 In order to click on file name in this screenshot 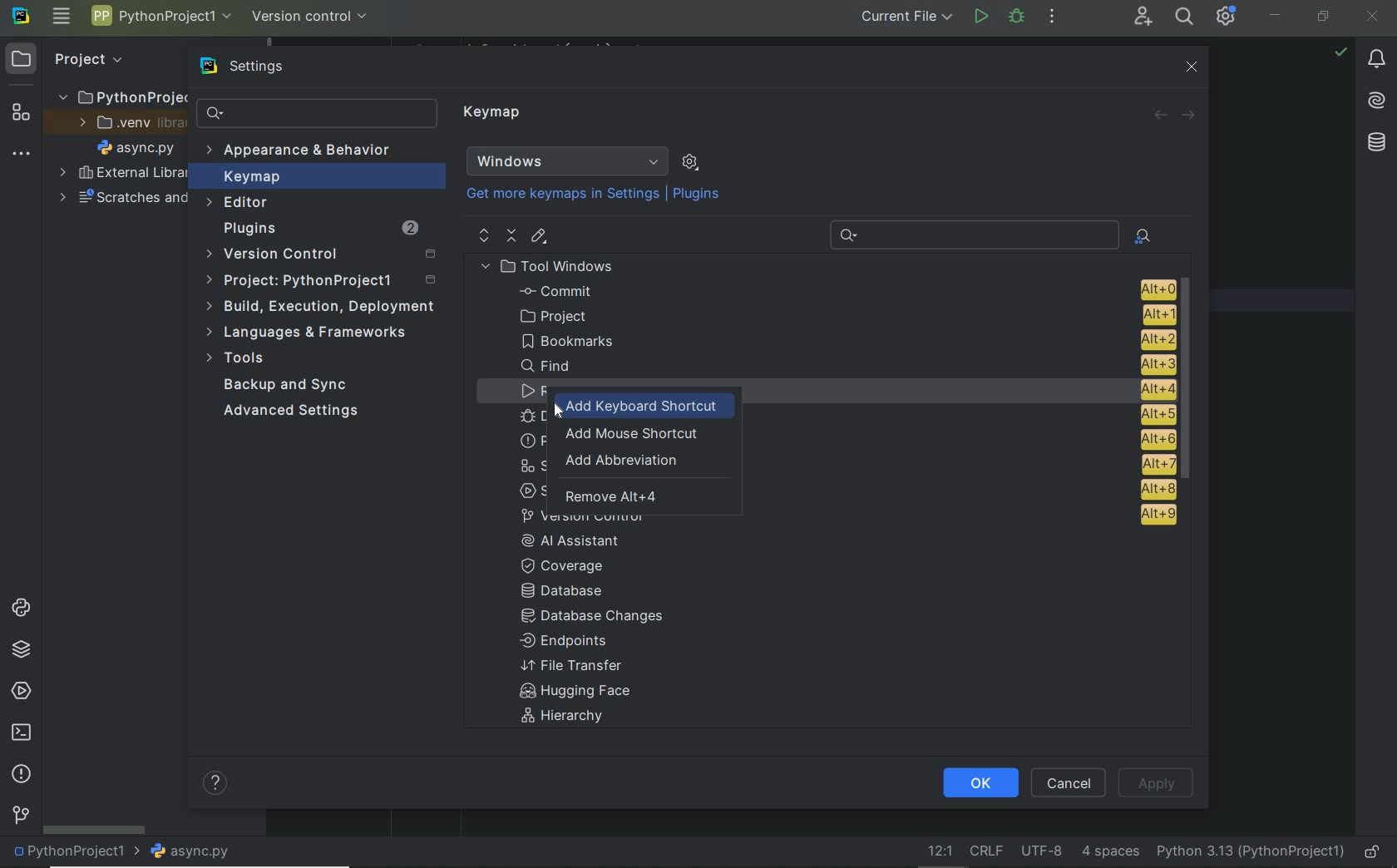, I will do `click(190, 852)`.